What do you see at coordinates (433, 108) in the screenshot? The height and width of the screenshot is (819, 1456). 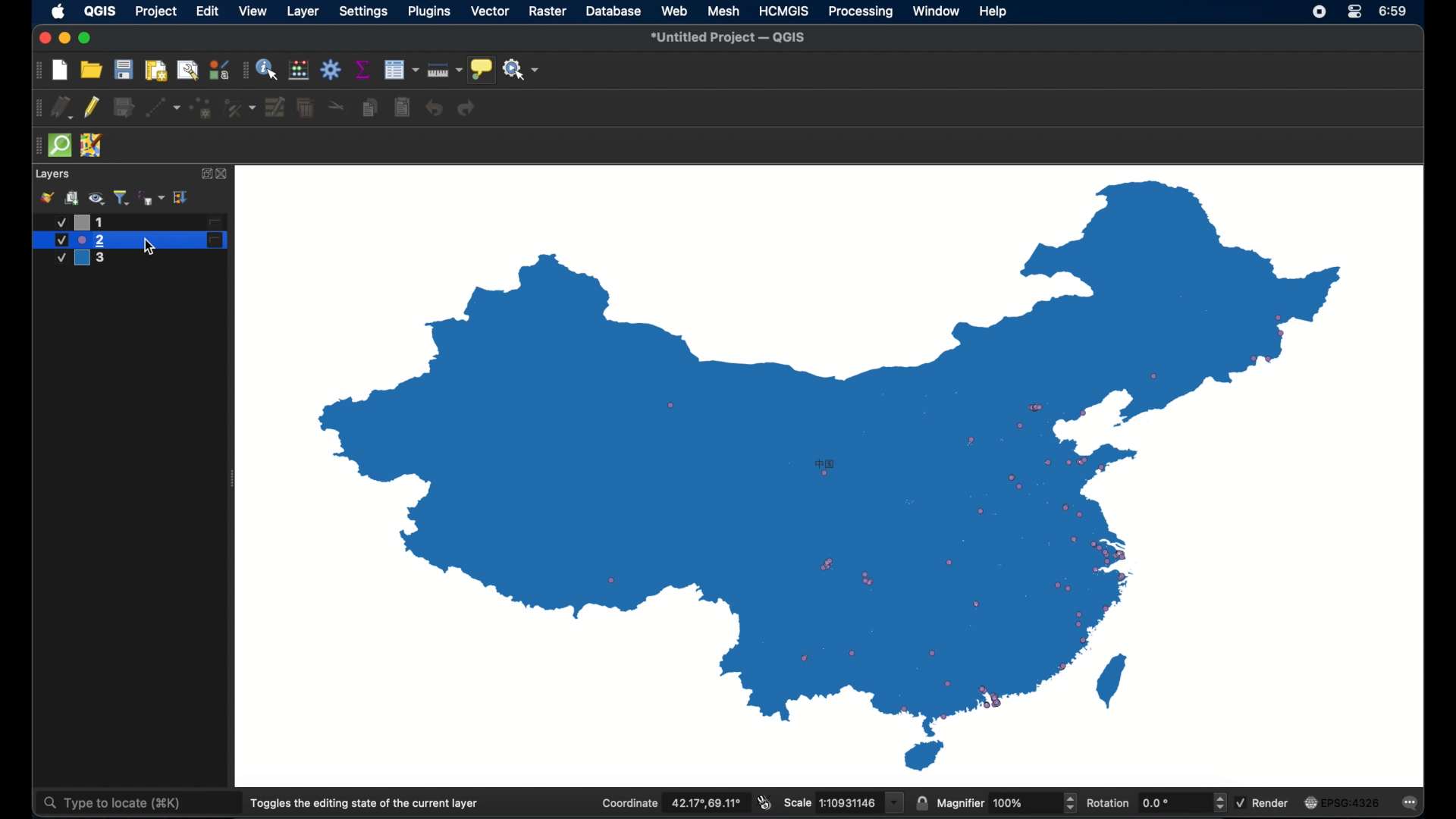 I see `undo` at bounding box center [433, 108].